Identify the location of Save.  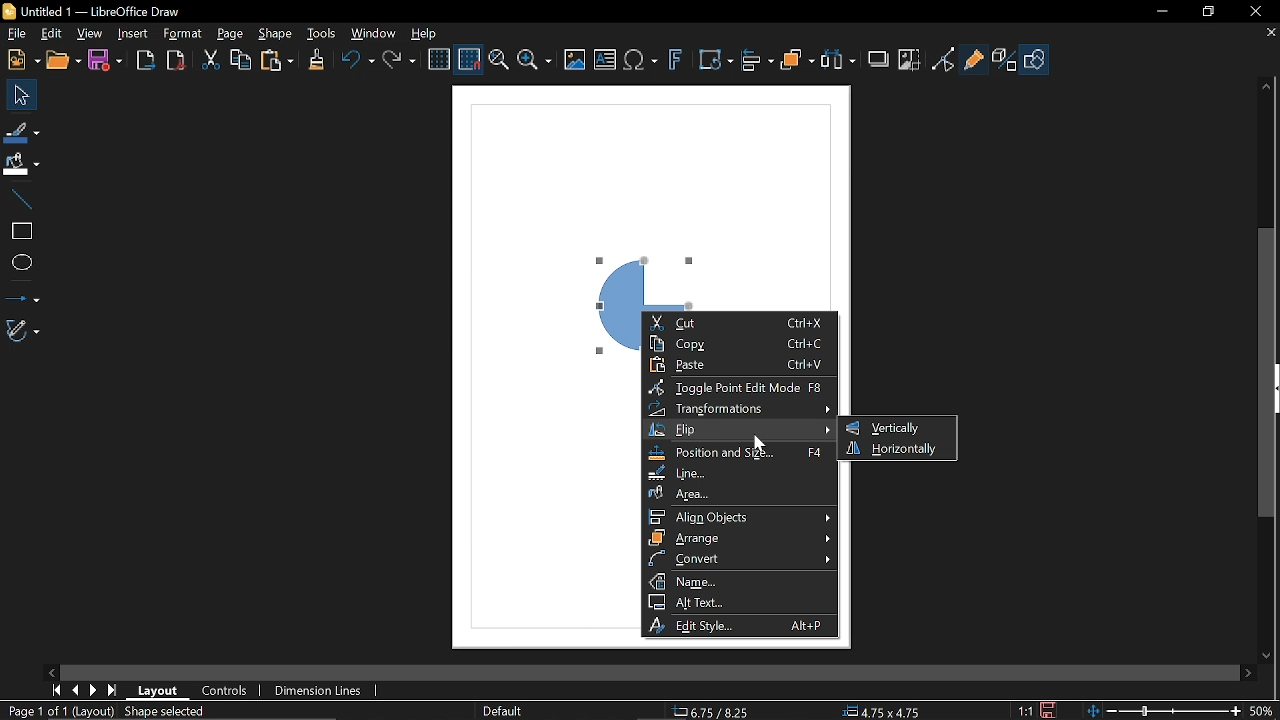
(108, 60).